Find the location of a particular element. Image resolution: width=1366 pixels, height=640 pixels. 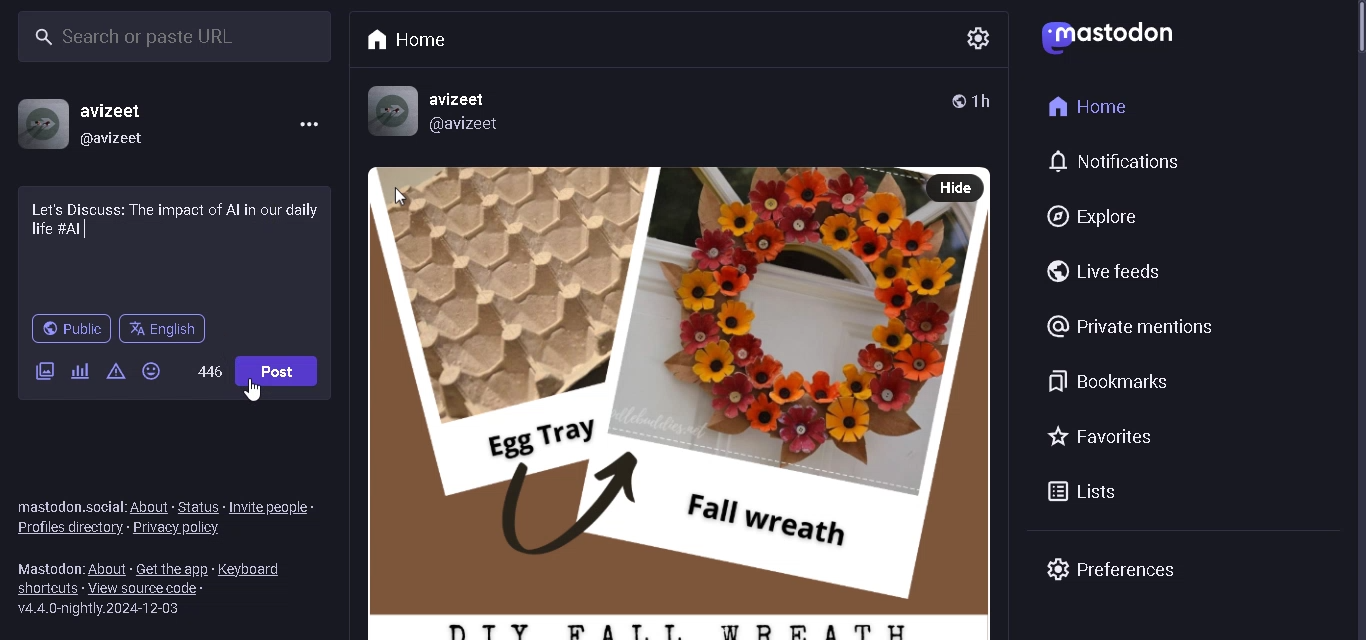

LIVE FEEDS is located at coordinates (1111, 272).